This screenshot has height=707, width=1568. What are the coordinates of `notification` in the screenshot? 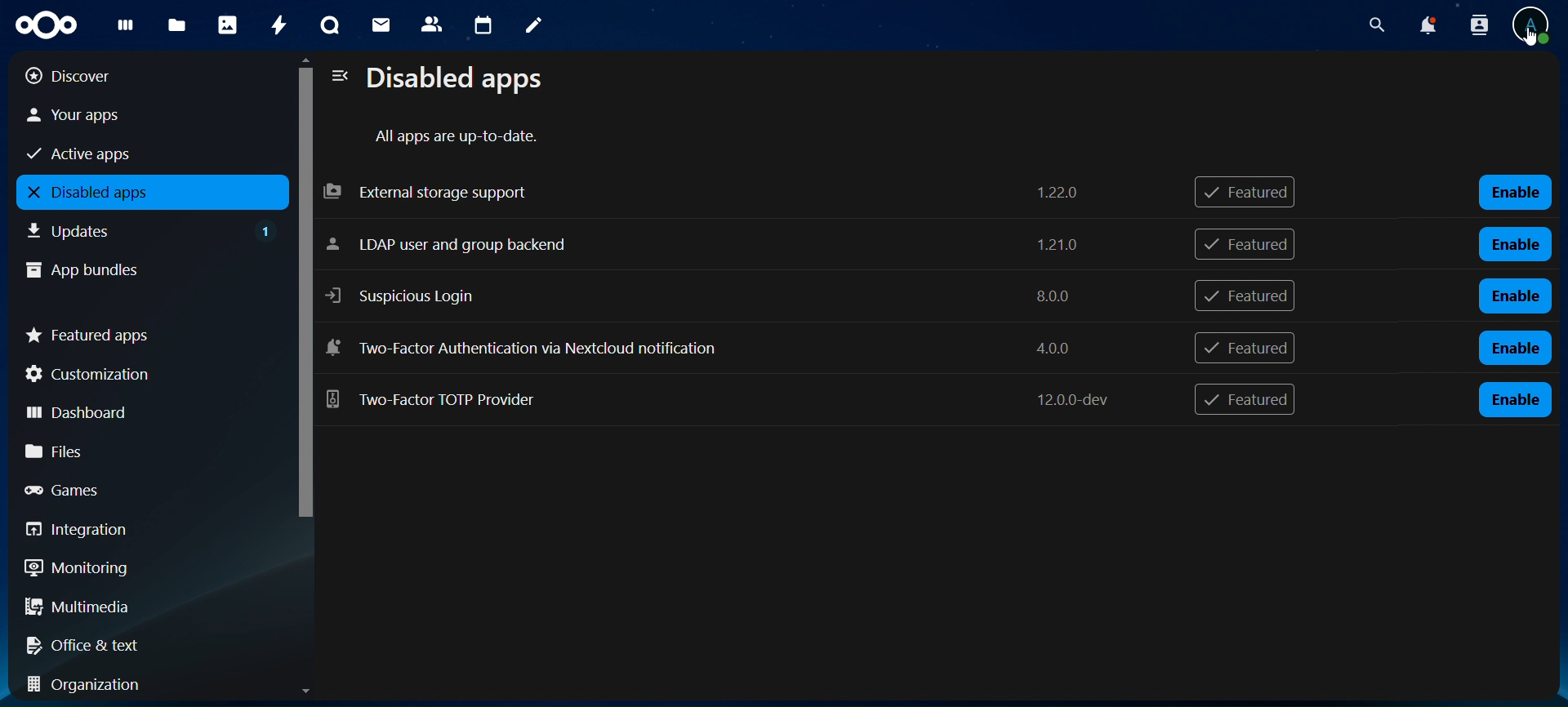 It's located at (1476, 24).